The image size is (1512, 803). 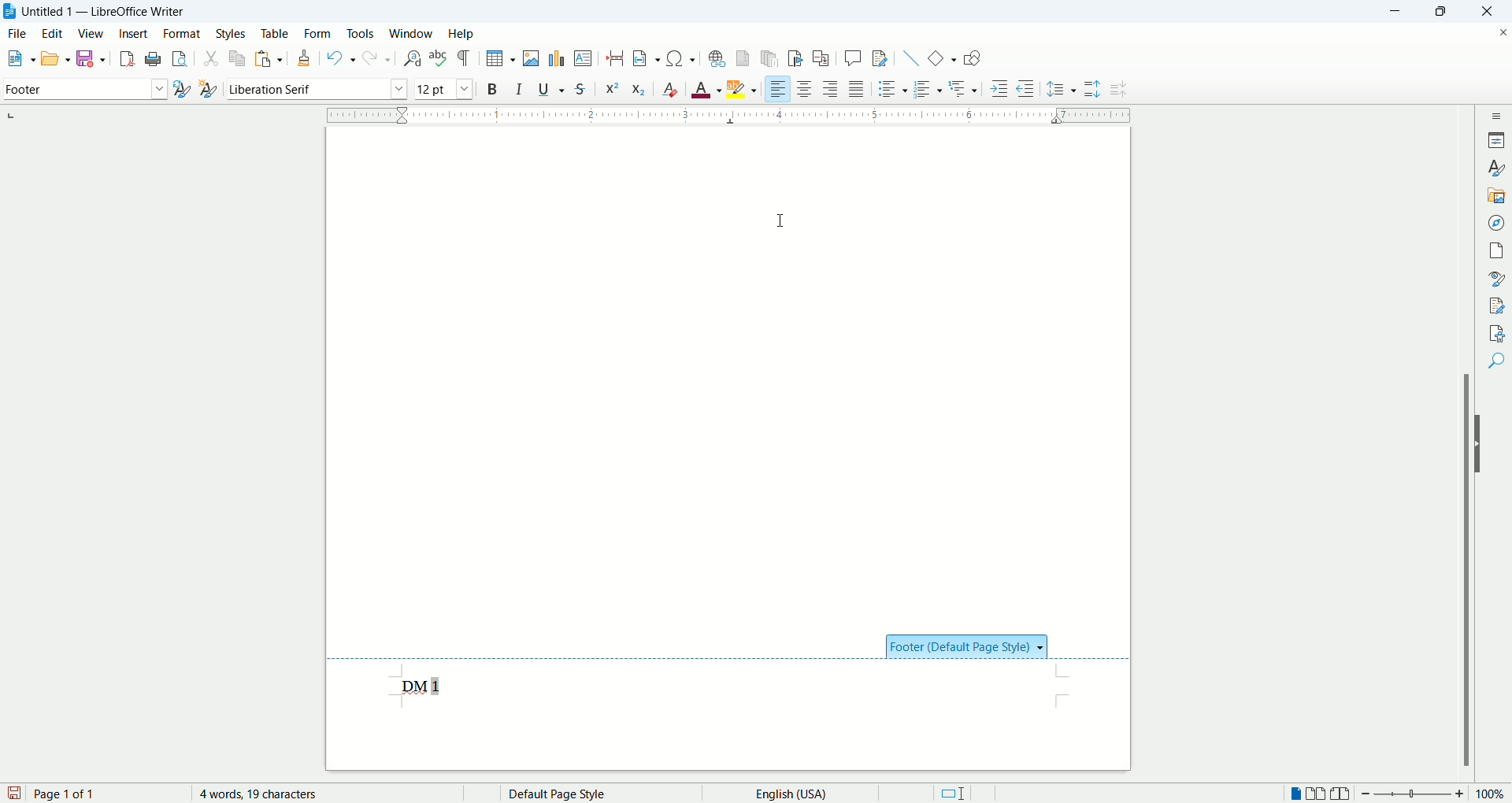 I want to click on footer section, so click(x=970, y=643).